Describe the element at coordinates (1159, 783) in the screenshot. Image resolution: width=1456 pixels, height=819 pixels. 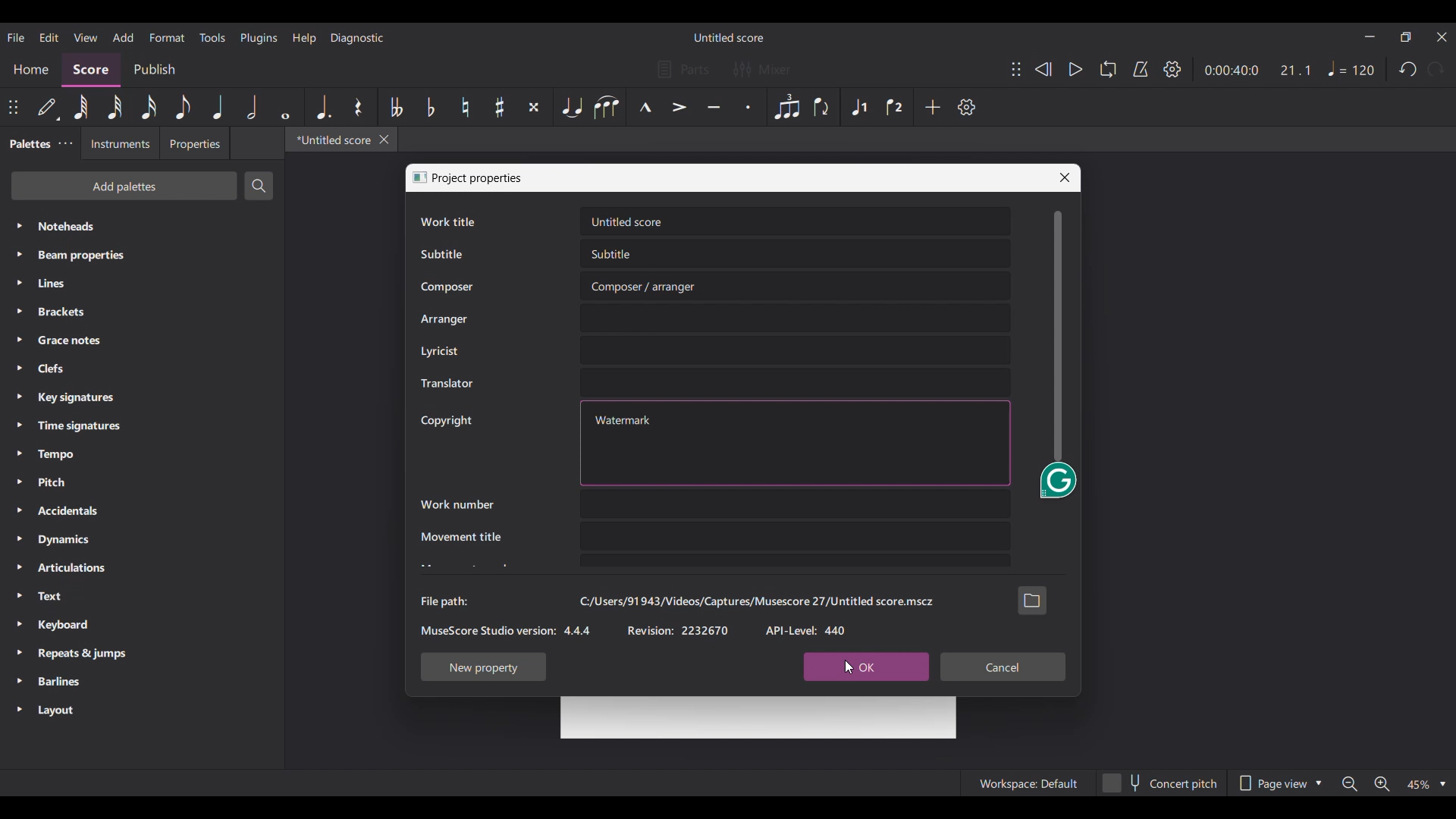
I see `Concert pitch toggle` at that location.